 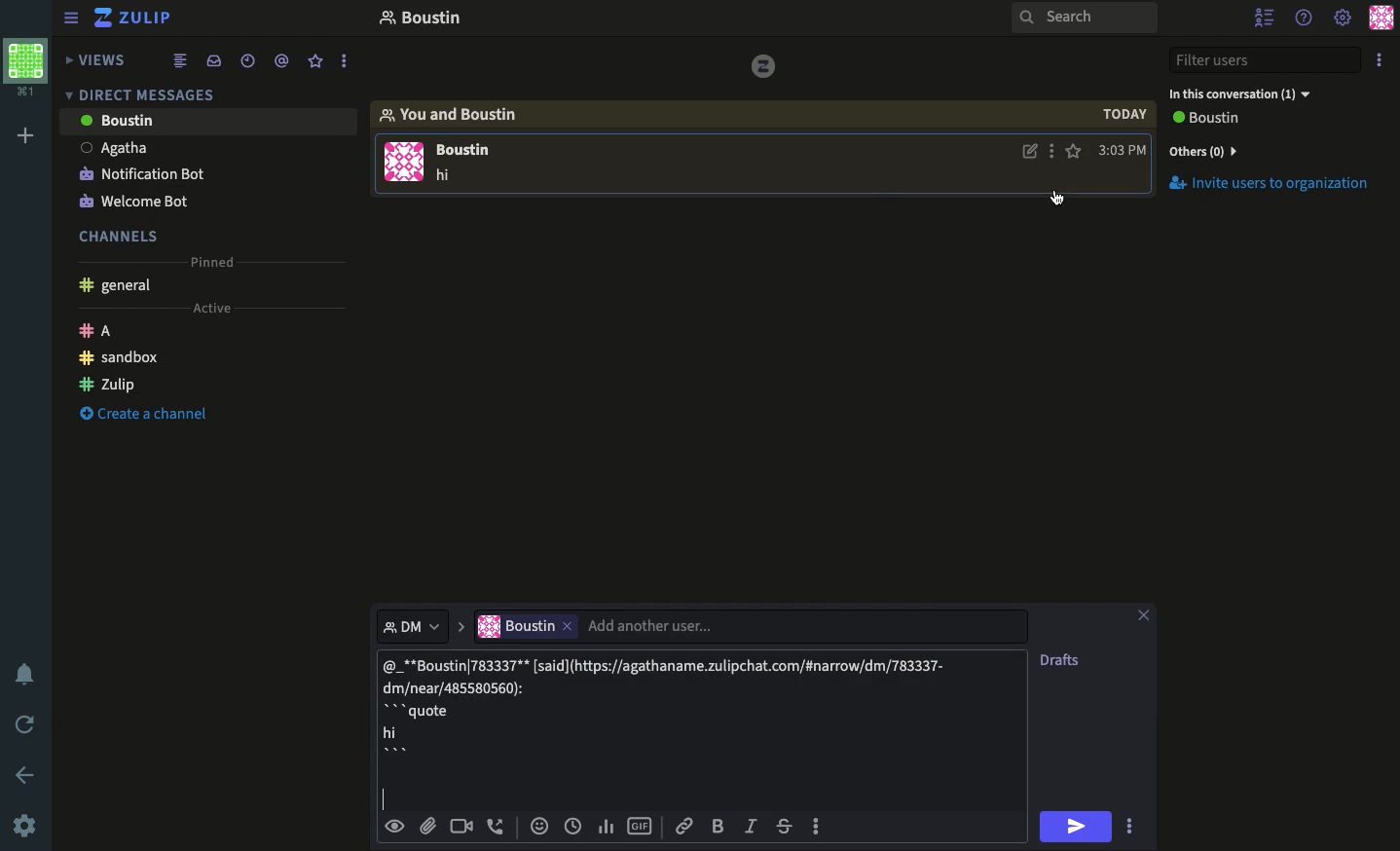 What do you see at coordinates (281, 61) in the screenshot?
I see `Tagged` at bounding box center [281, 61].